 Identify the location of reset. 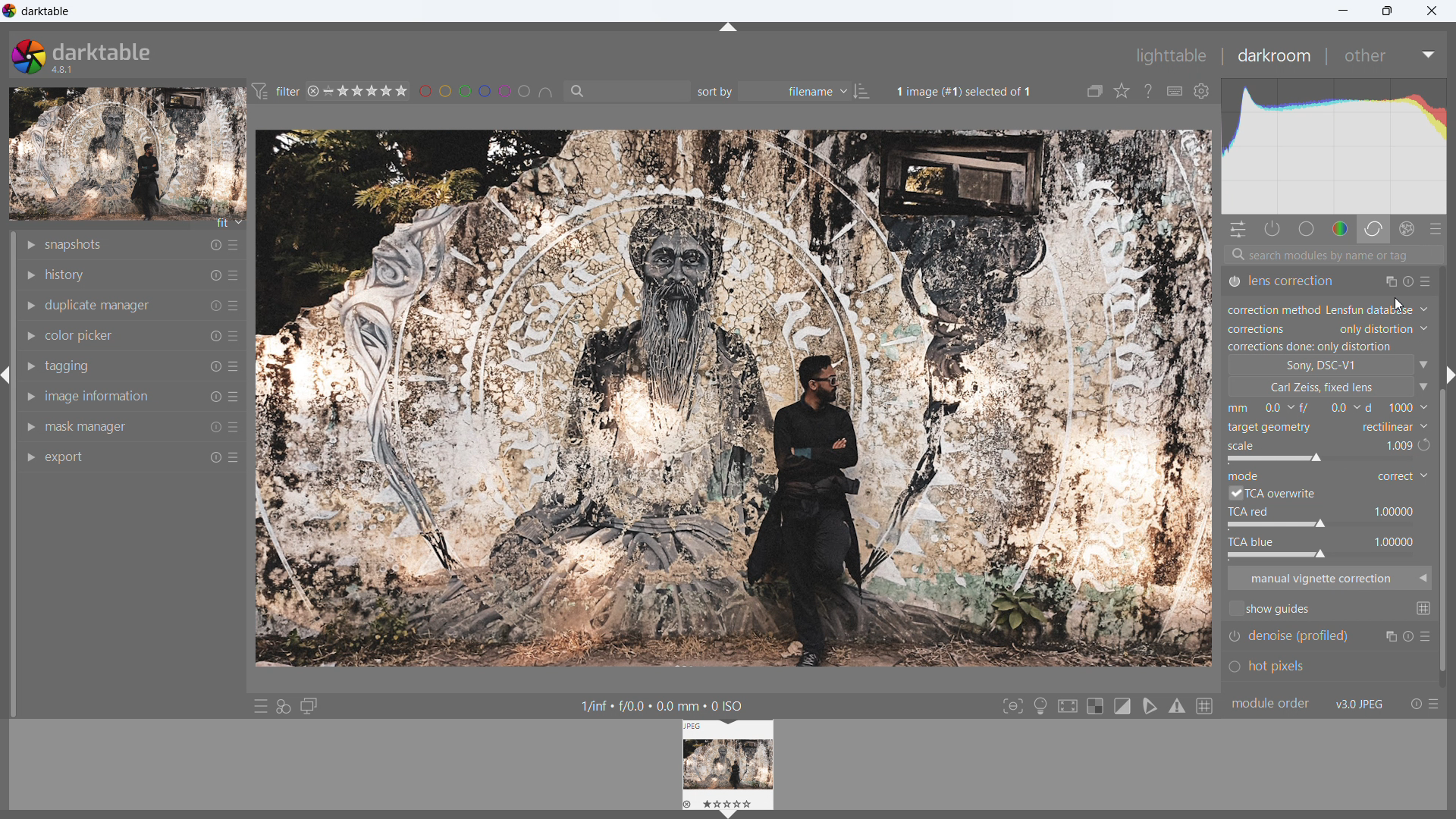
(215, 275).